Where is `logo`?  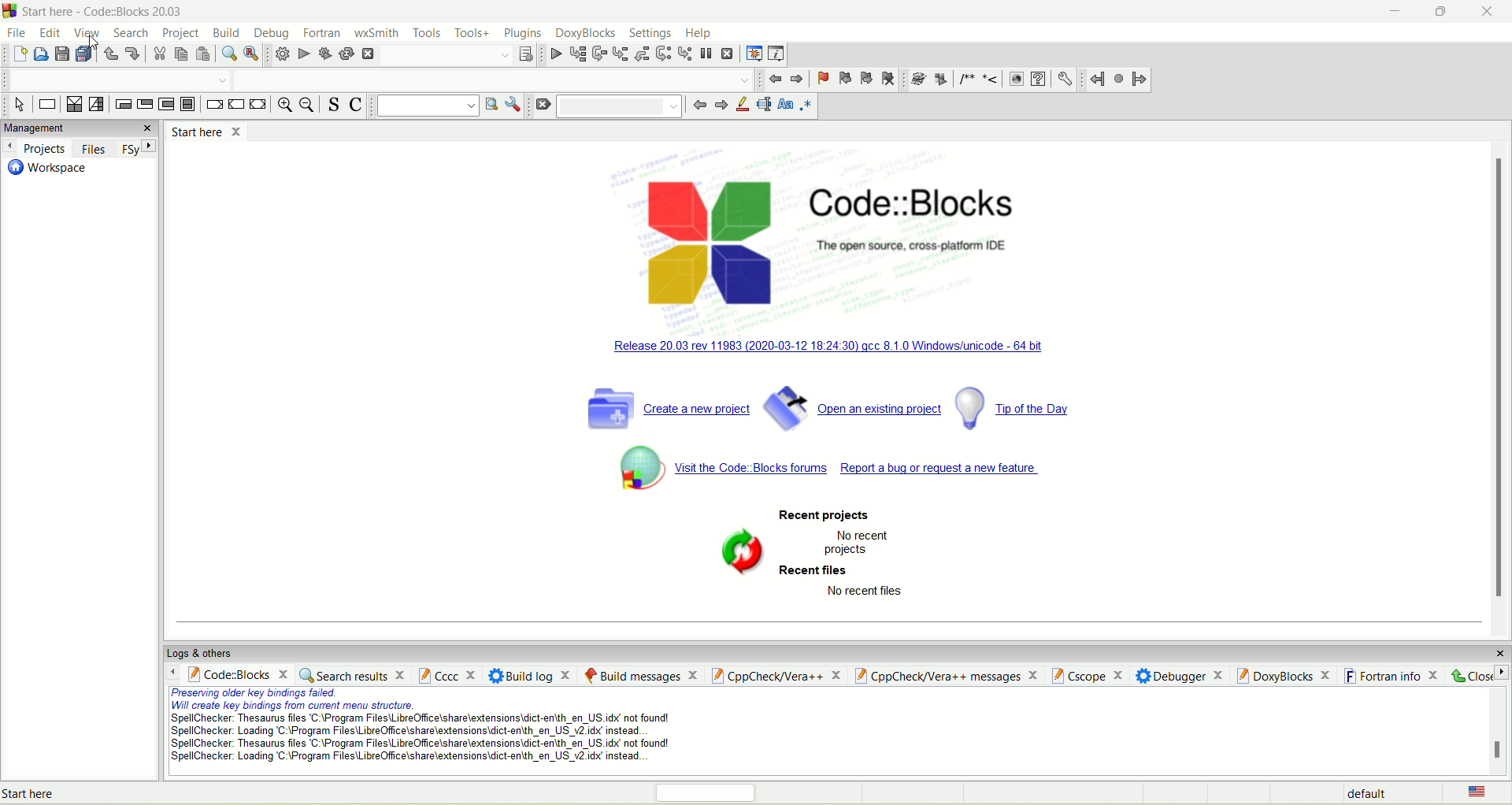 logo is located at coordinates (706, 239).